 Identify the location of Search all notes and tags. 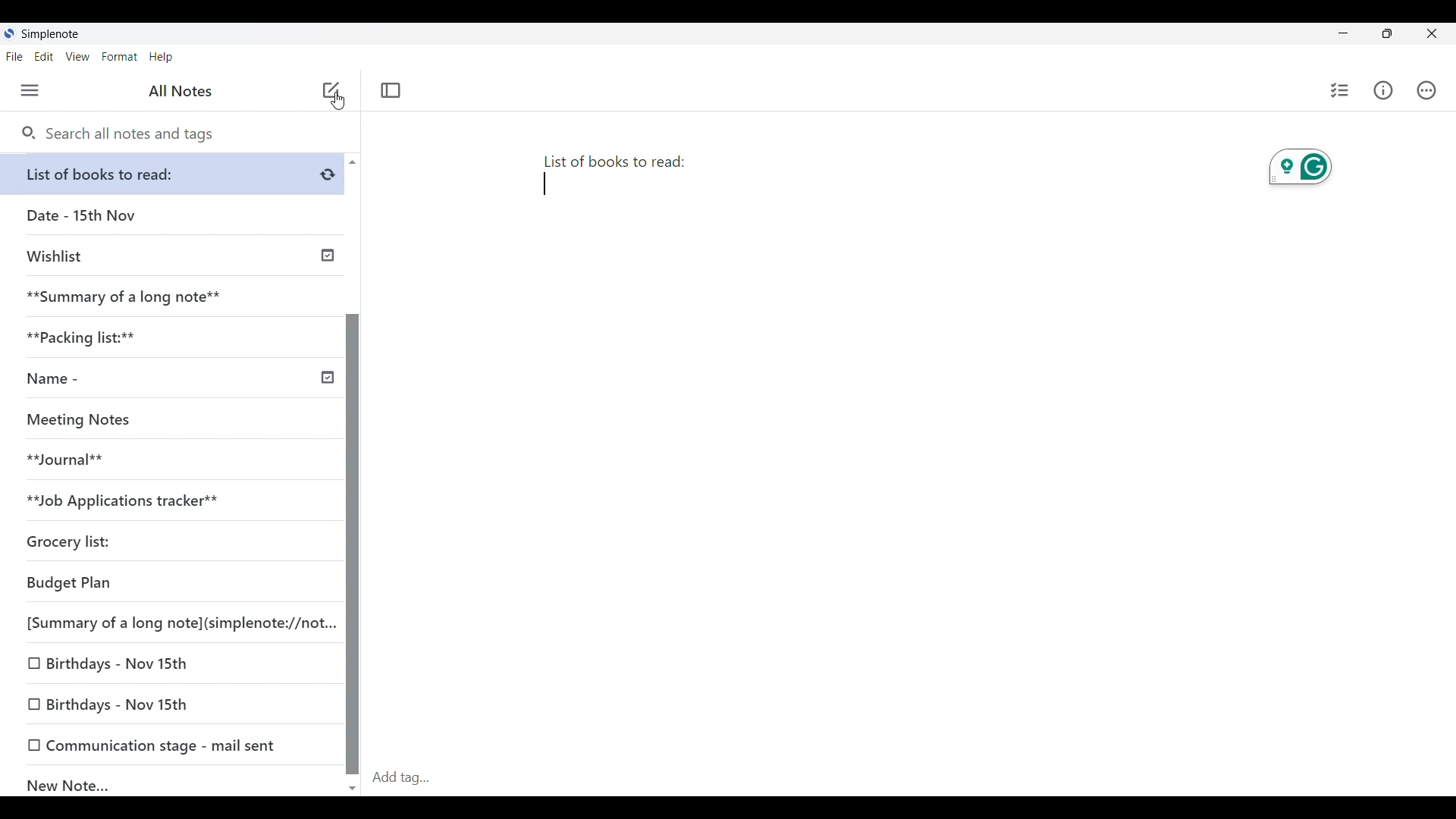
(118, 134).